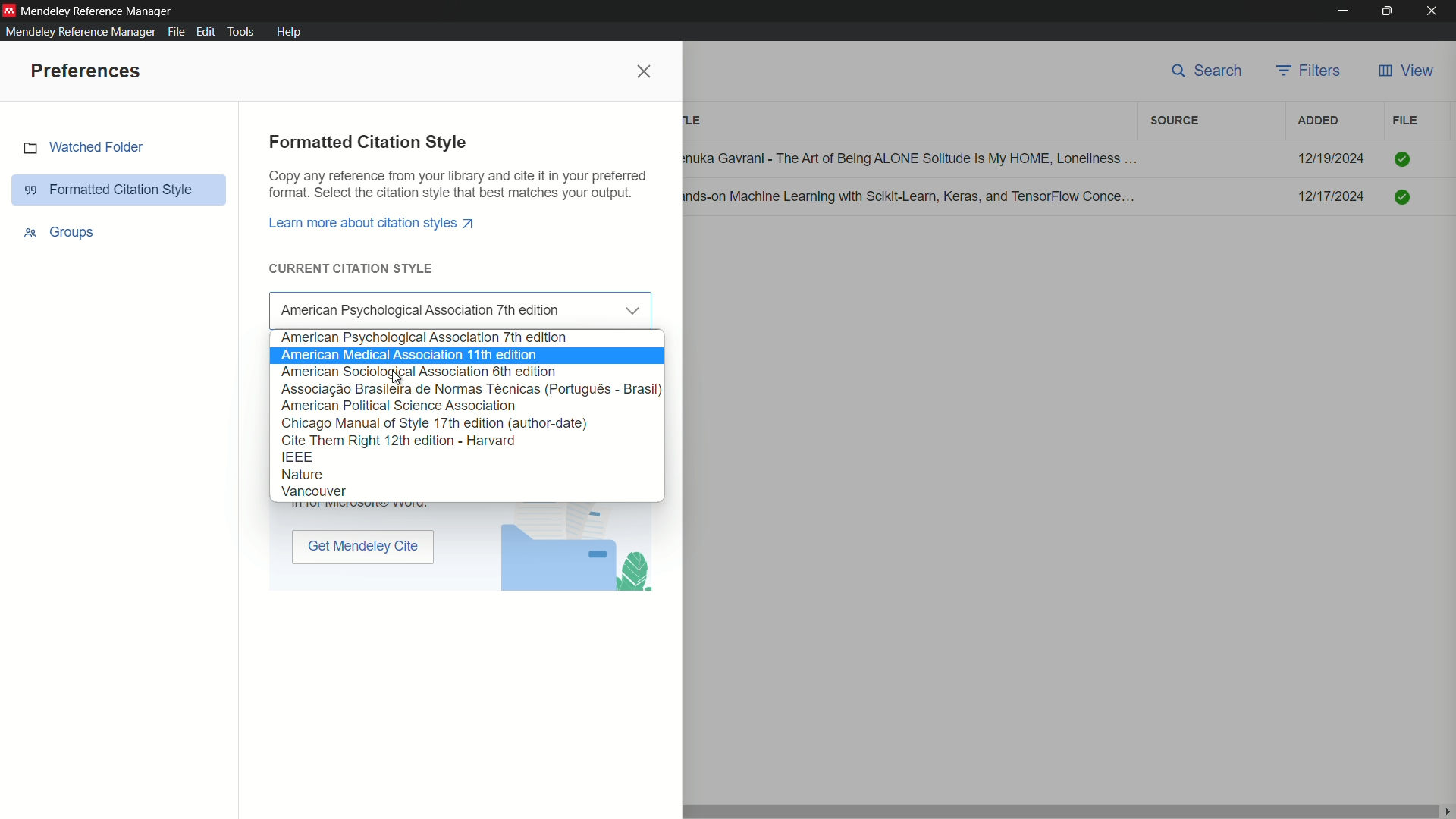 This screenshot has width=1456, height=819. What do you see at coordinates (459, 186) in the screenshot?
I see `Copy any reference from your library and cite it in your preferred format. Select the citation style that best matches your output` at bounding box center [459, 186].